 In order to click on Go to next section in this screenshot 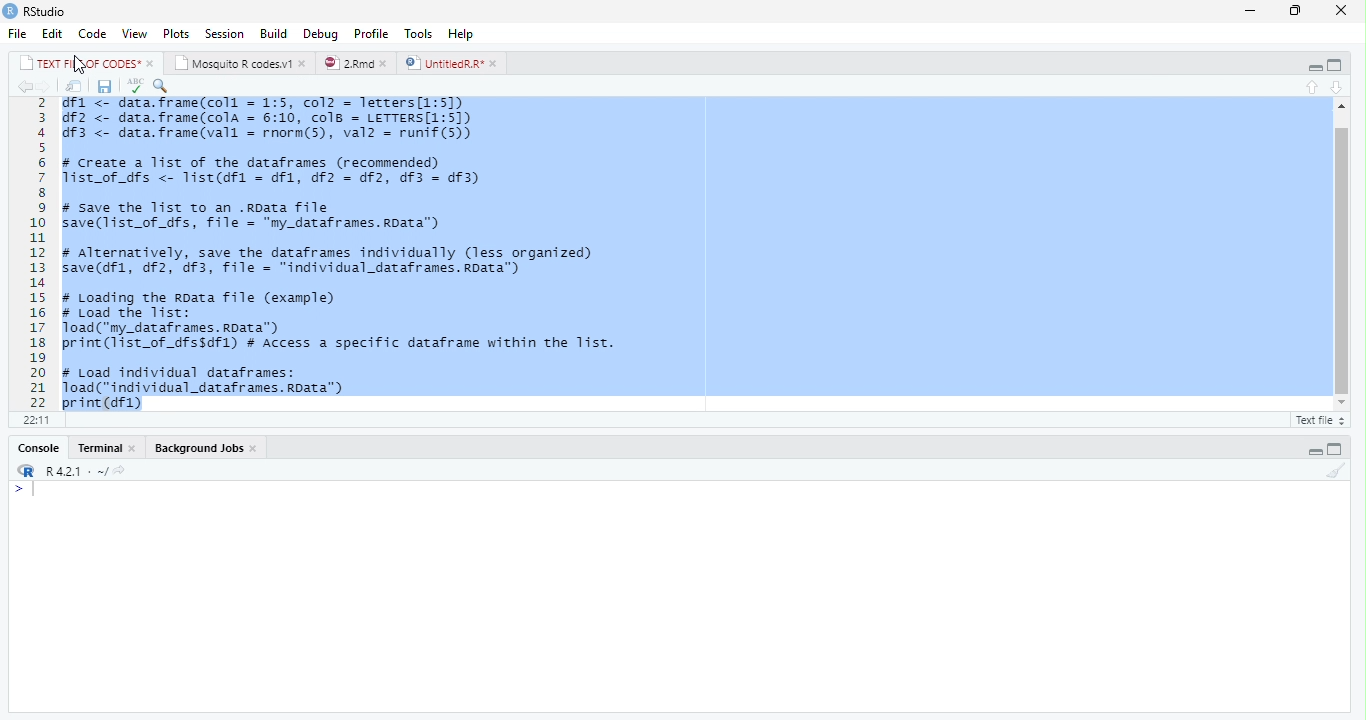, I will do `click(1336, 88)`.